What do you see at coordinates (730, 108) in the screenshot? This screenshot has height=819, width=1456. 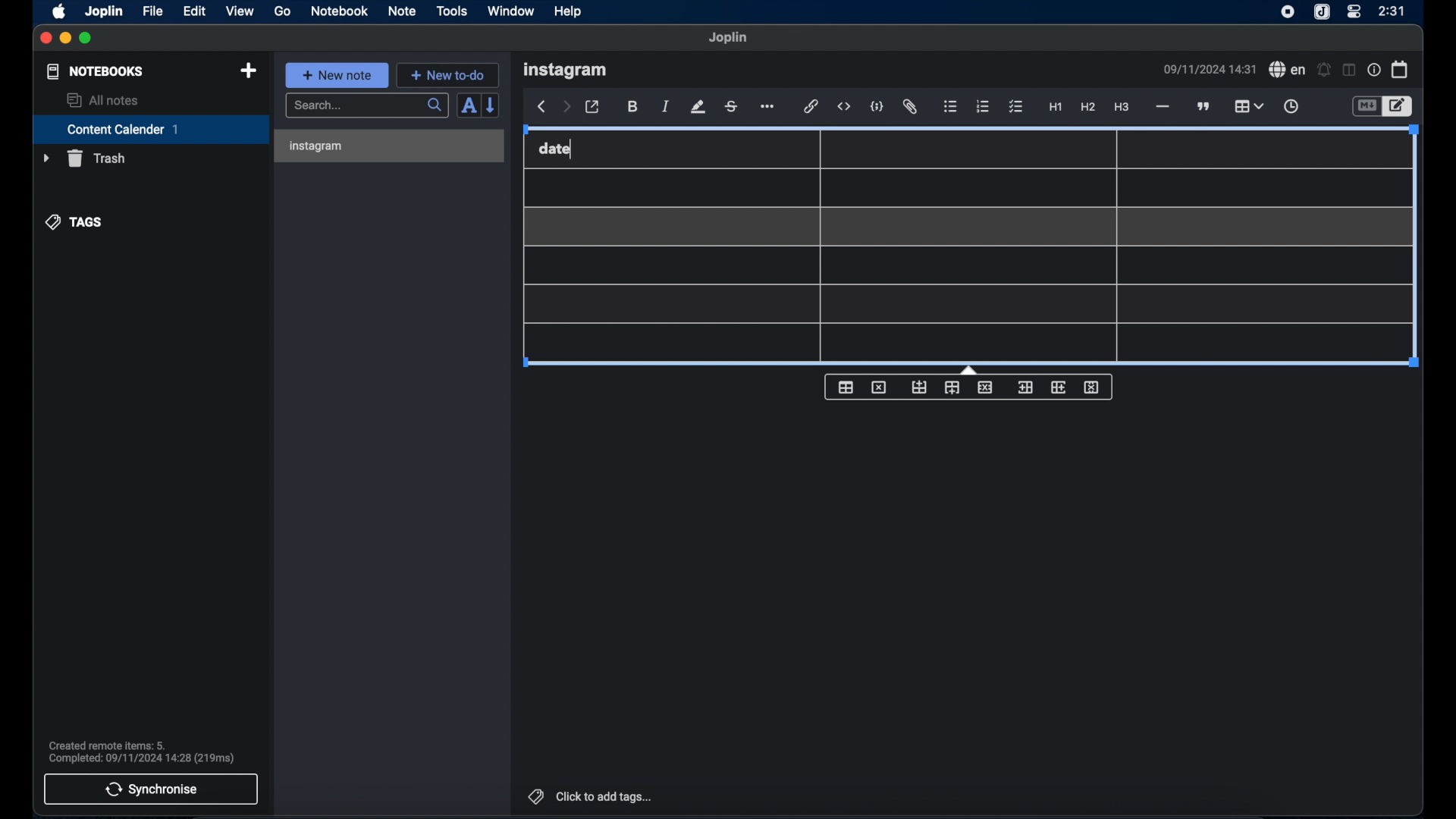 I see `strikethrough` at bounding box center [730, 108].